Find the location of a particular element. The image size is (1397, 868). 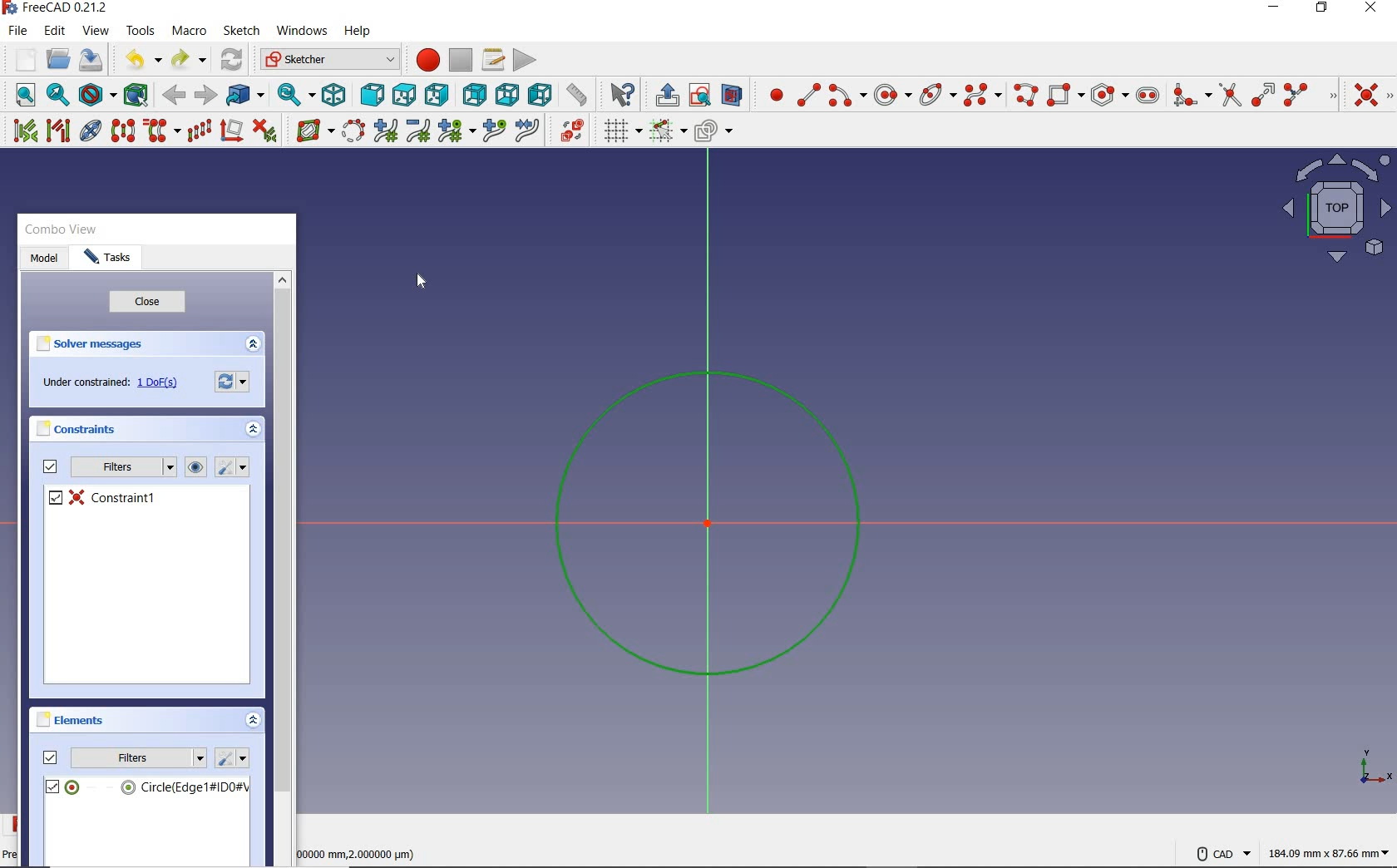

clone is located at coordinates (160, 131).